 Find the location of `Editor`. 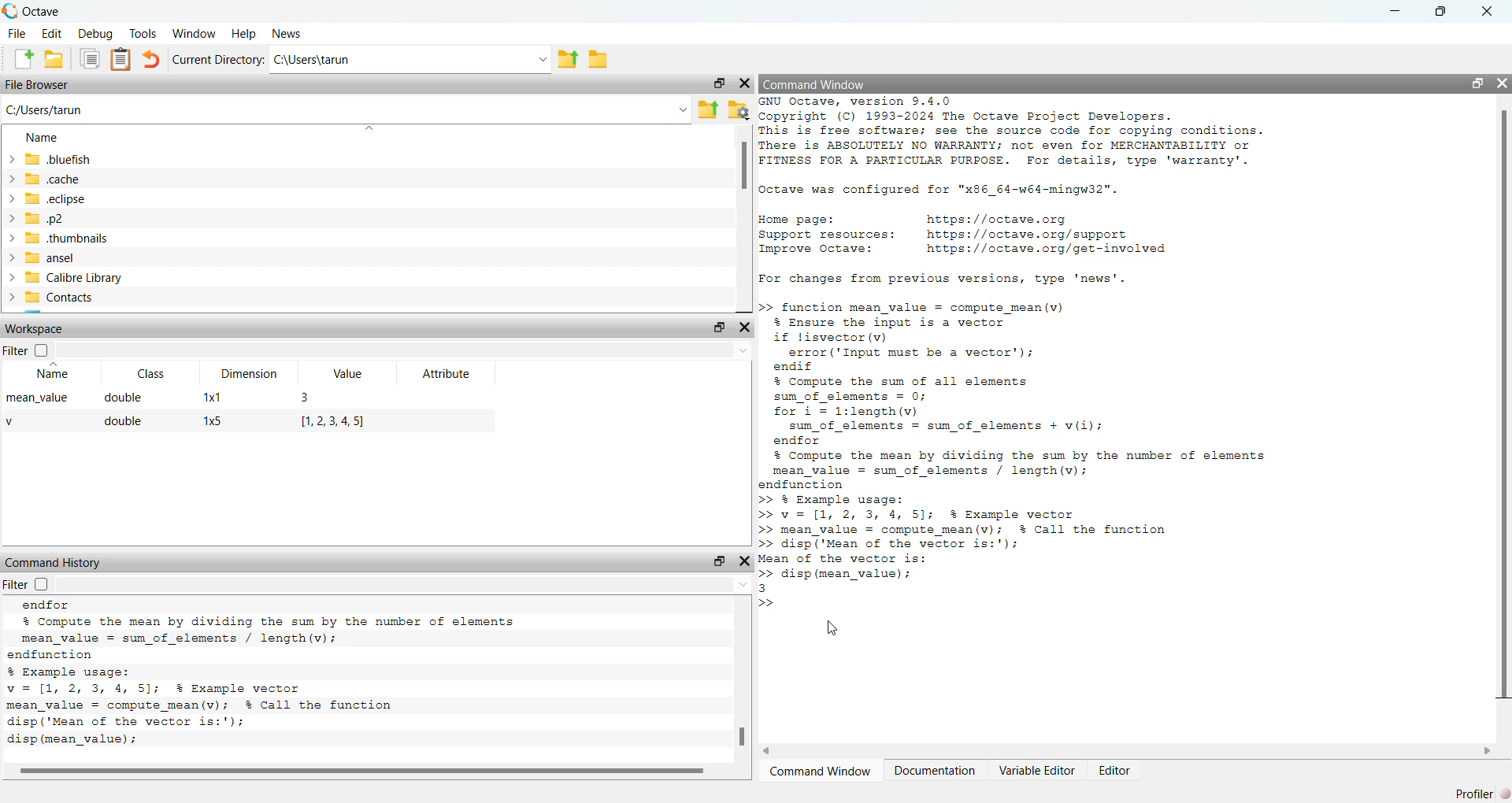

Editor is located at coordinates (1114, 771).